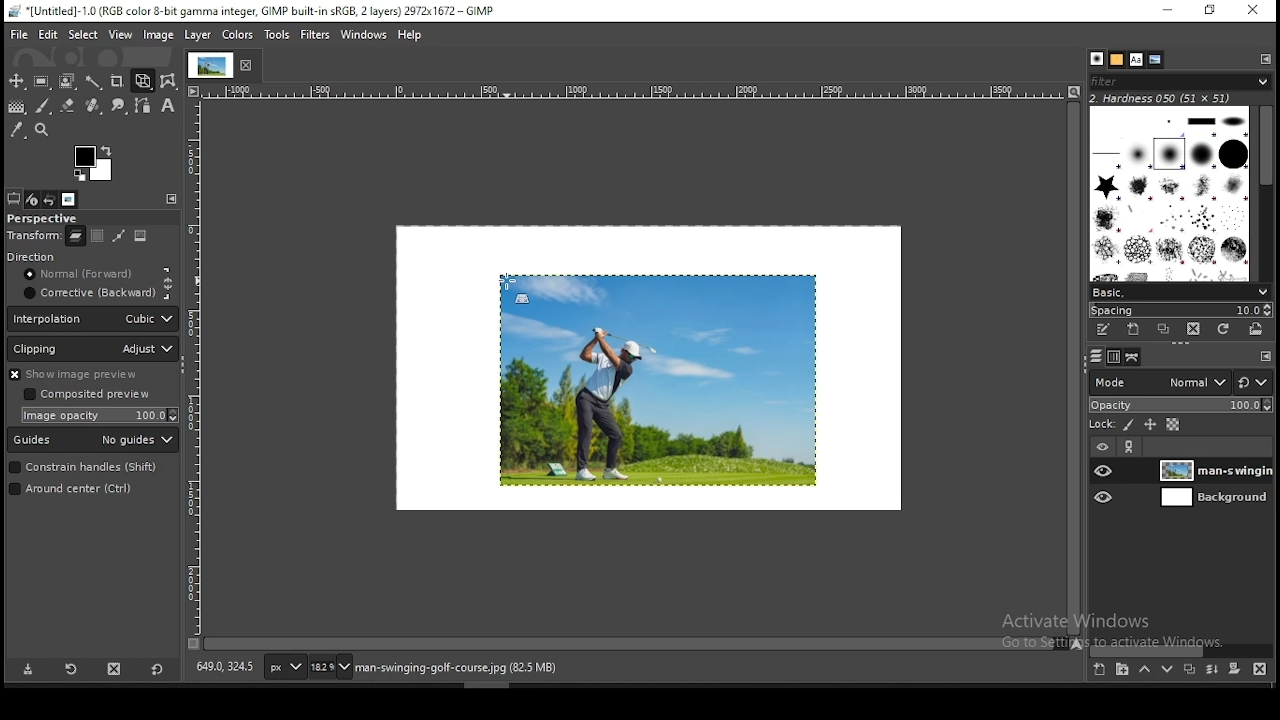 The height and width of the screenshot is (720, 1280). Describe the element at coordinates (1196, 330) in the screenshot. I see `delete brush` at that location.